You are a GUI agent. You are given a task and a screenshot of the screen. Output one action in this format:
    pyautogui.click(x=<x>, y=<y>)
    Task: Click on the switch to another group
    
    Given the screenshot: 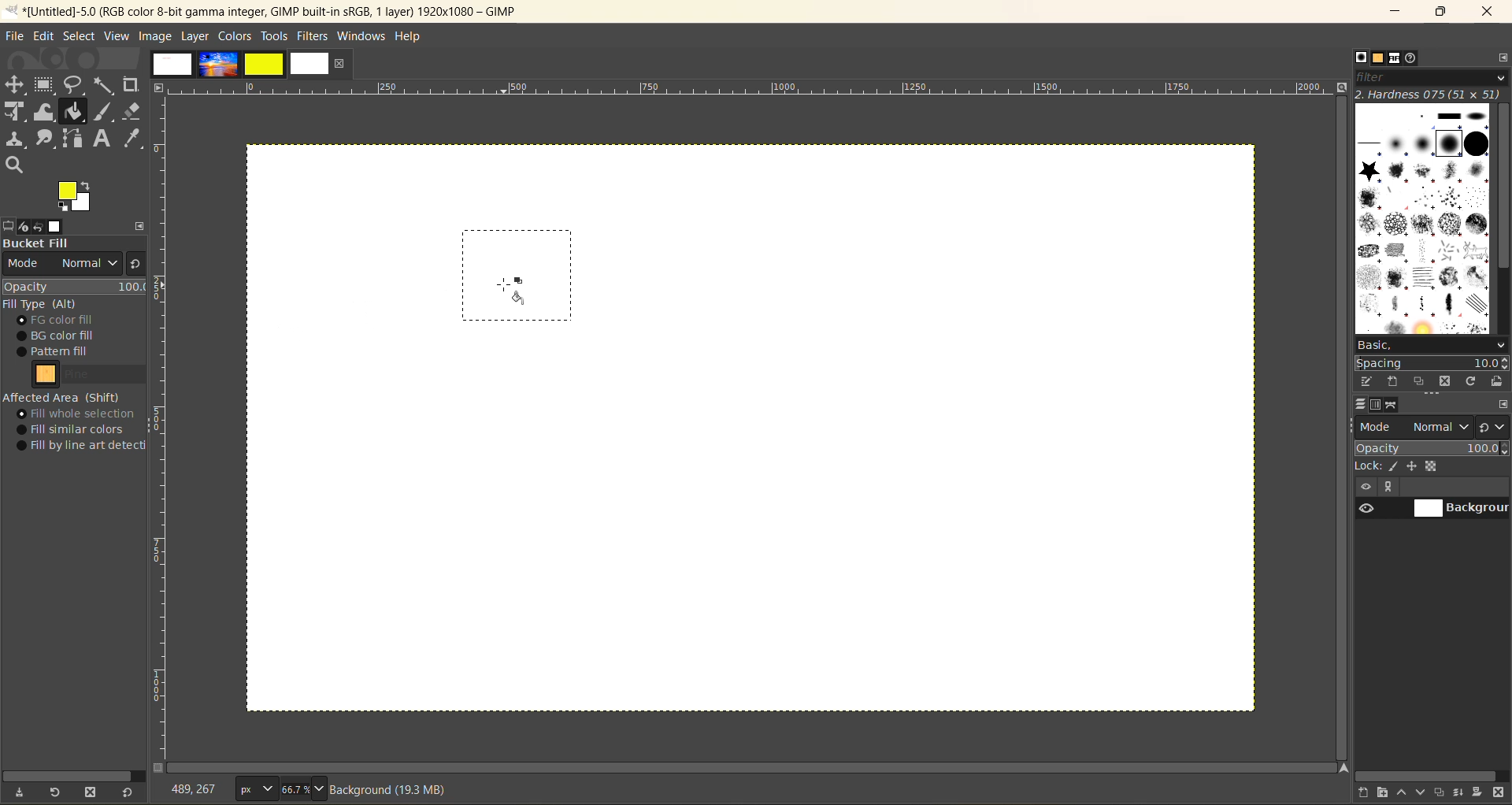 What is the action you would take?
    pyautogui.click(x=1494, y=426)
    